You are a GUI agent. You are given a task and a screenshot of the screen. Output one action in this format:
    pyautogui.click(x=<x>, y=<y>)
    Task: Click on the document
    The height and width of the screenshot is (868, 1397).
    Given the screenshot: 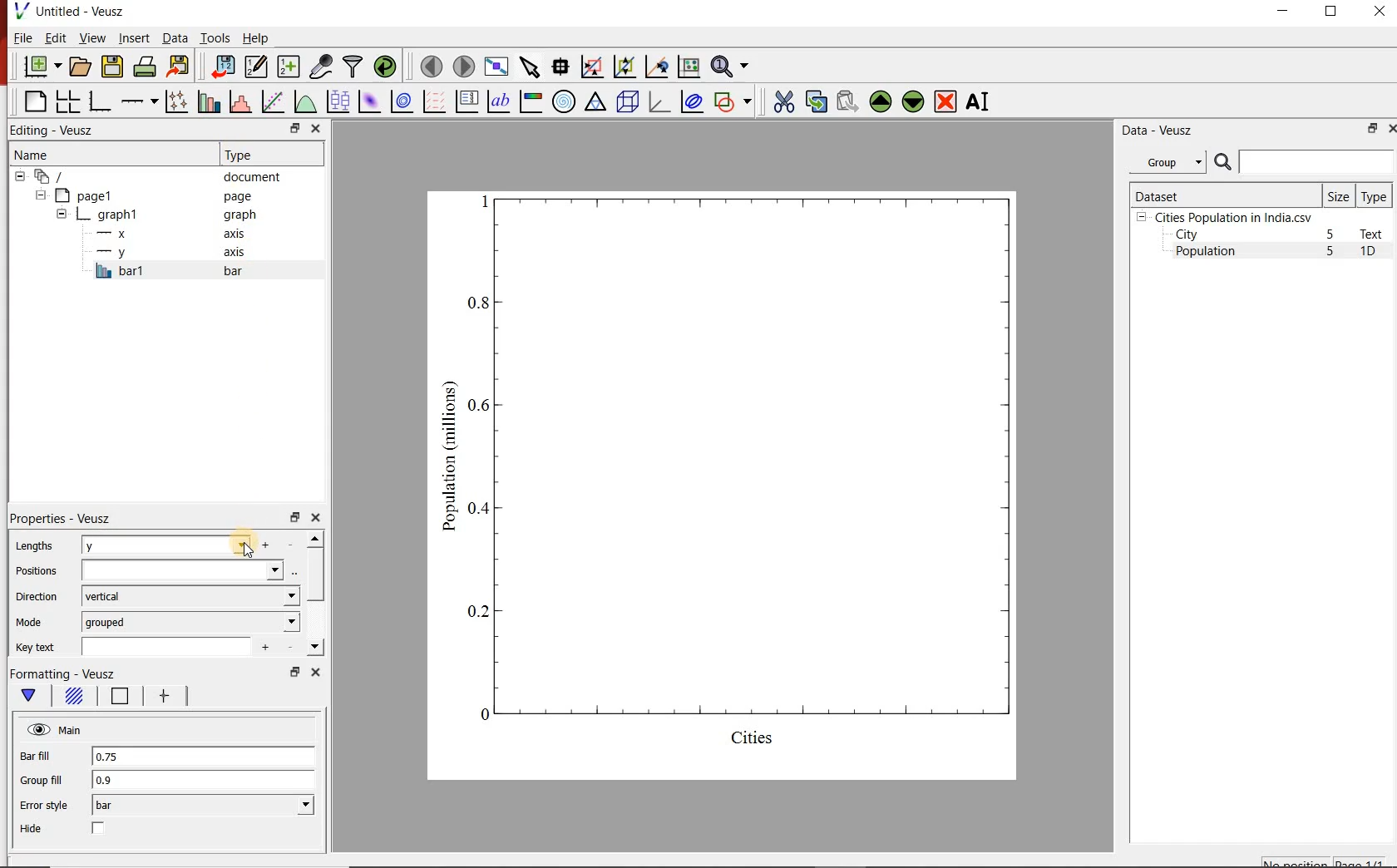 What is the action you would take?
    pyautogui.click(x=153, y=175)
    